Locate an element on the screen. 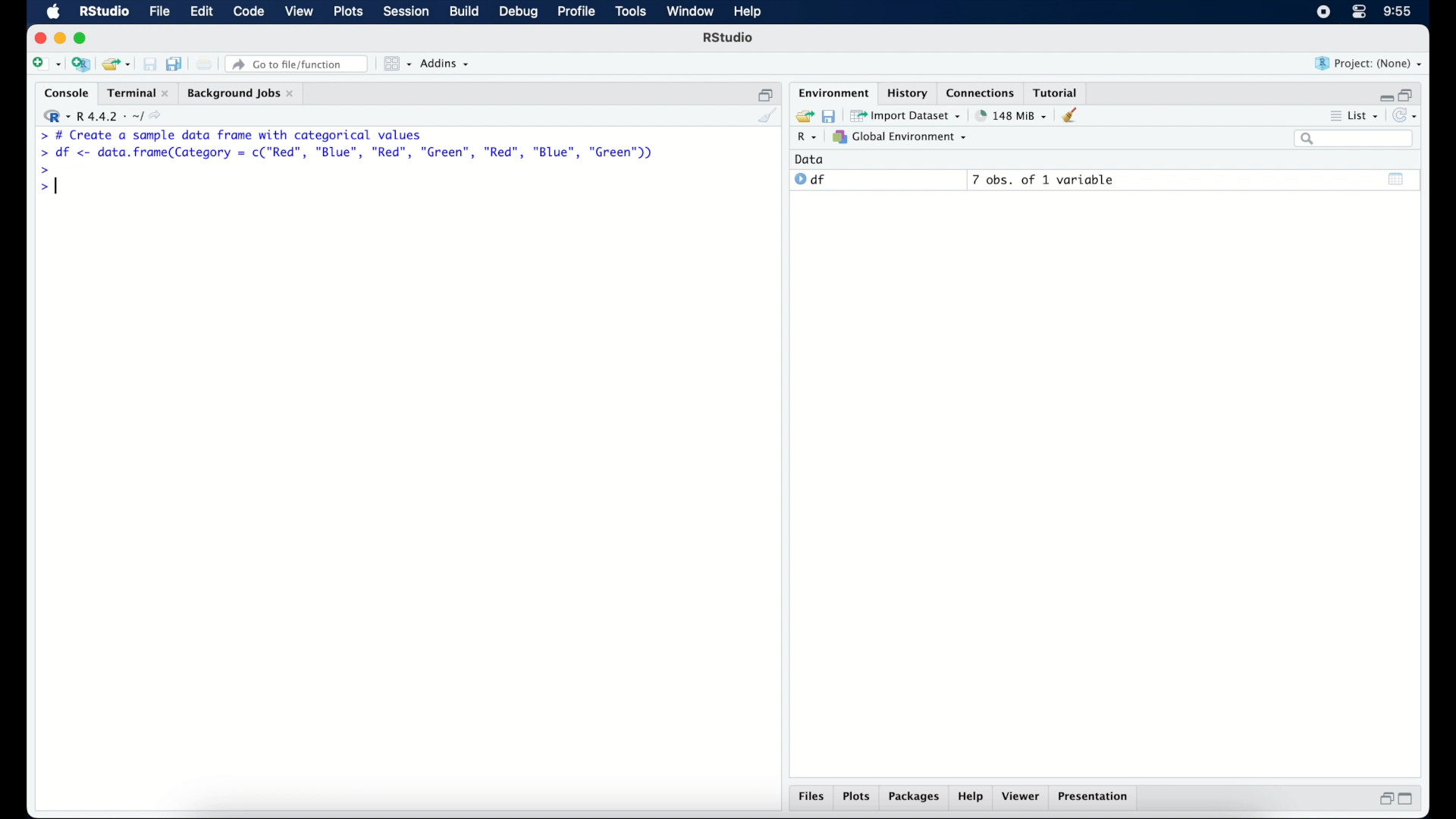 The image size is (1456, 819). create a project is located at coordinates (82, 64).